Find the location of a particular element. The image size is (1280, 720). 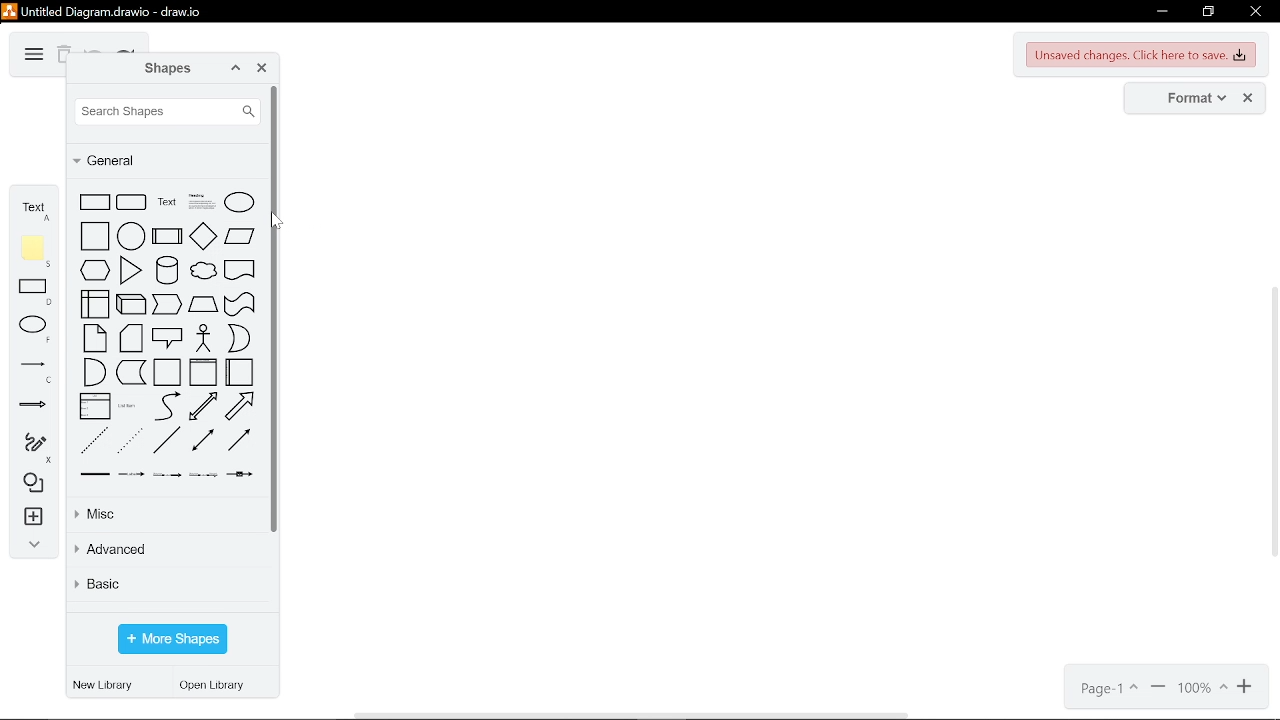

parallelogram is located at coordinates (240, 236).